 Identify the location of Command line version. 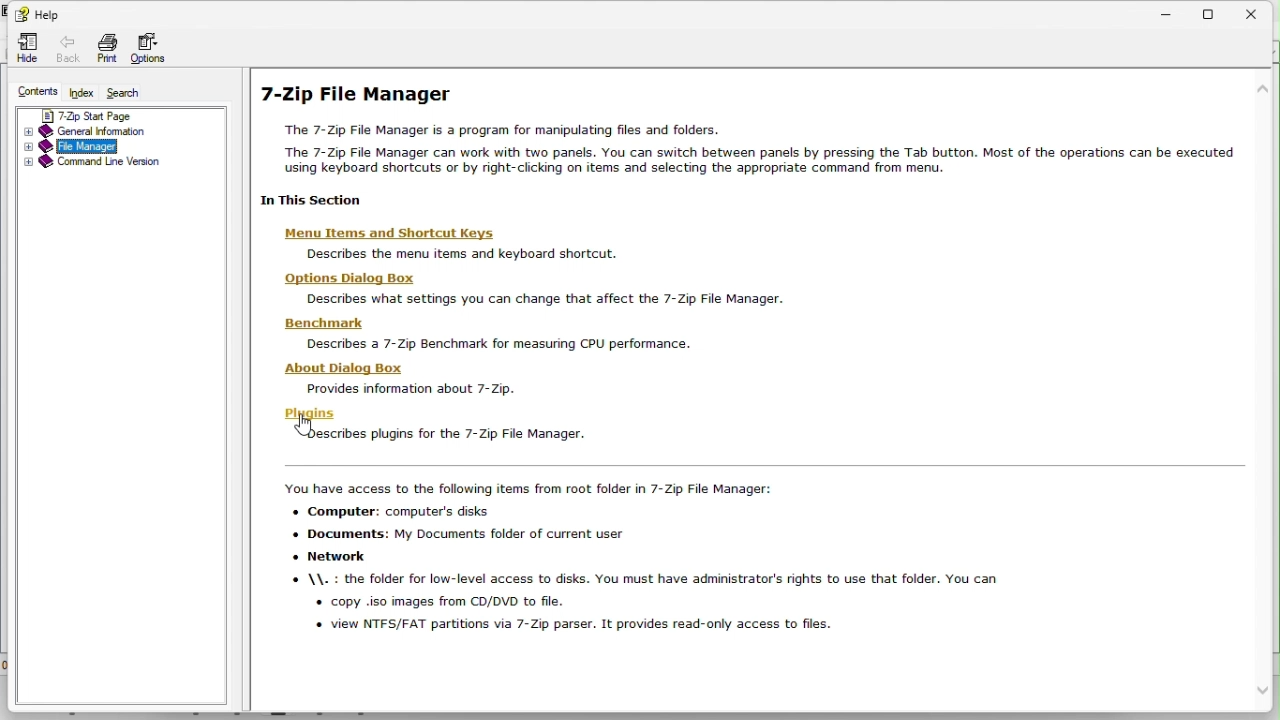
(97, 164).